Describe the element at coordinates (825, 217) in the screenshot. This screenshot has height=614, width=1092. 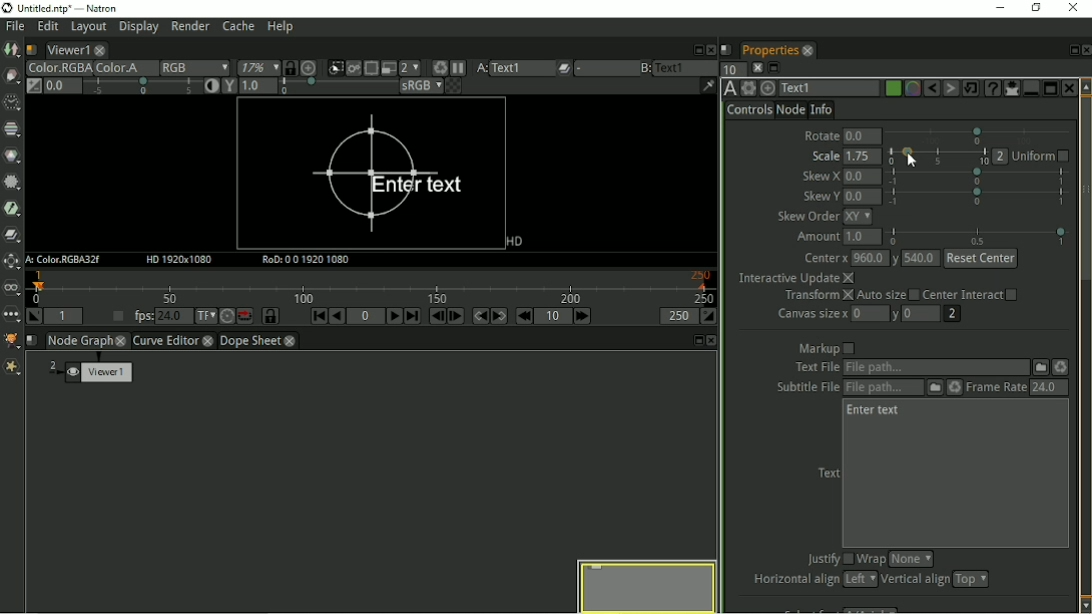
I see `Skew order` at that location.